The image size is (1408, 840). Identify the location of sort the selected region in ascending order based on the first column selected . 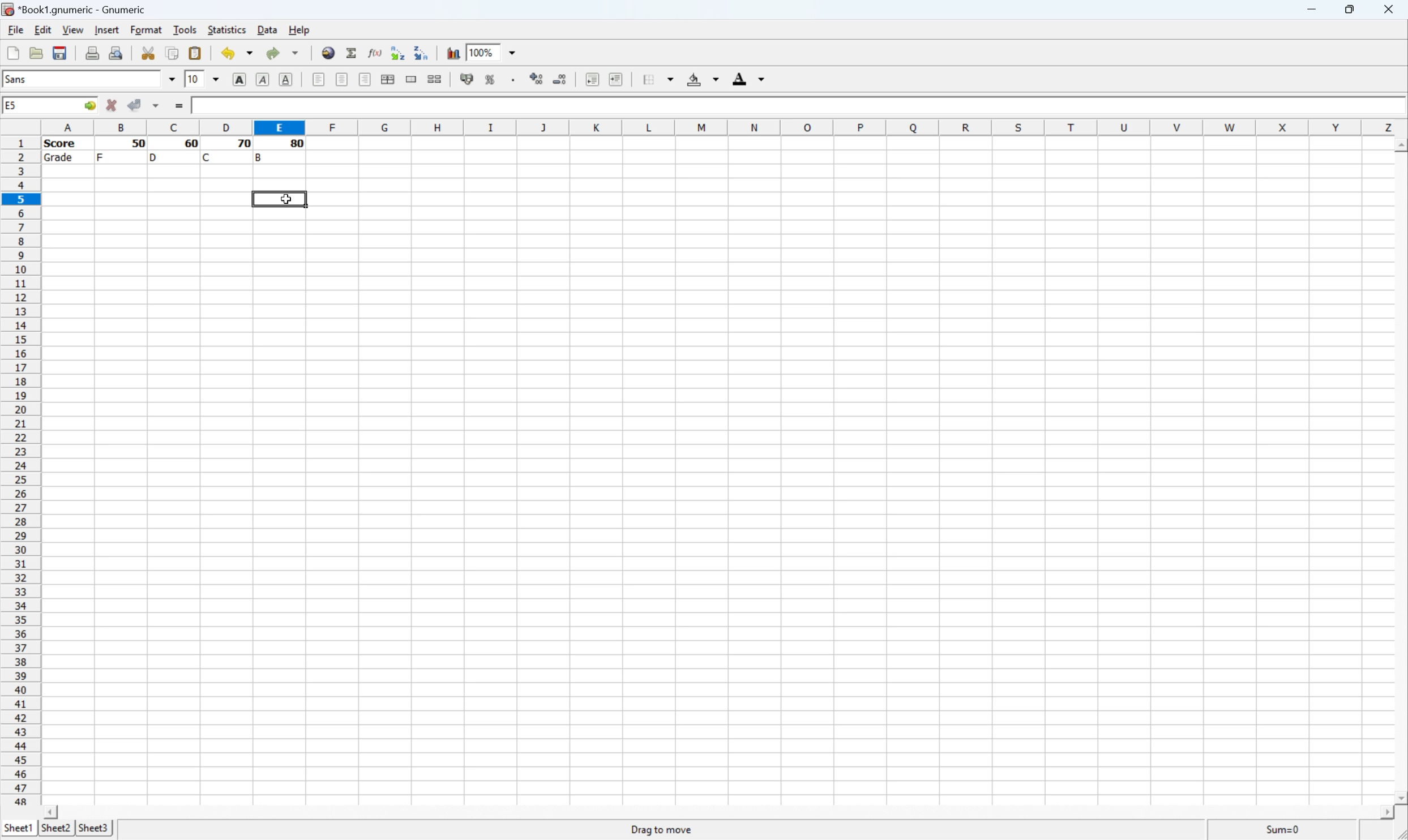
(396, 52).